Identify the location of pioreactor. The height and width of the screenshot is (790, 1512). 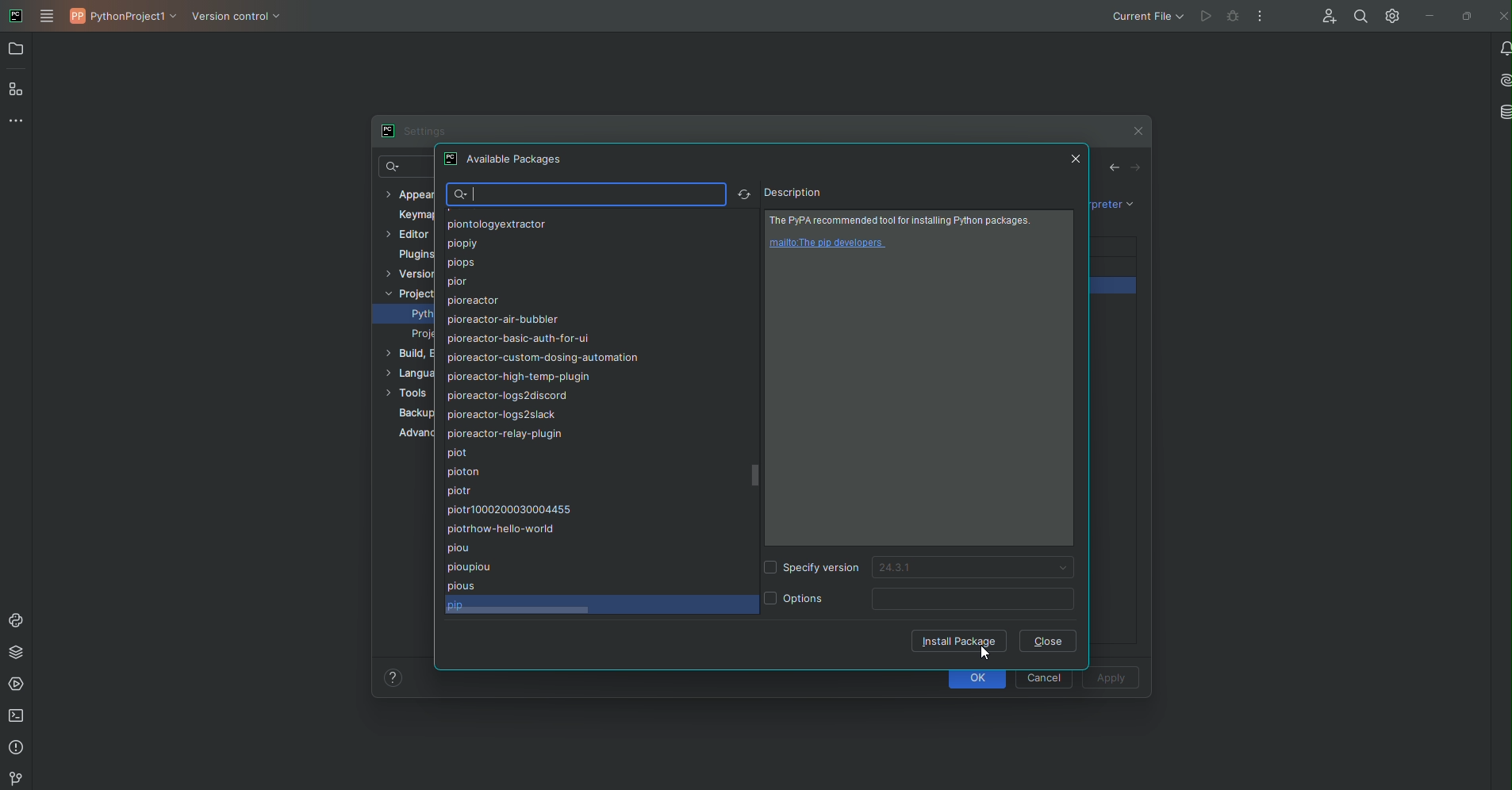
(474, 301).